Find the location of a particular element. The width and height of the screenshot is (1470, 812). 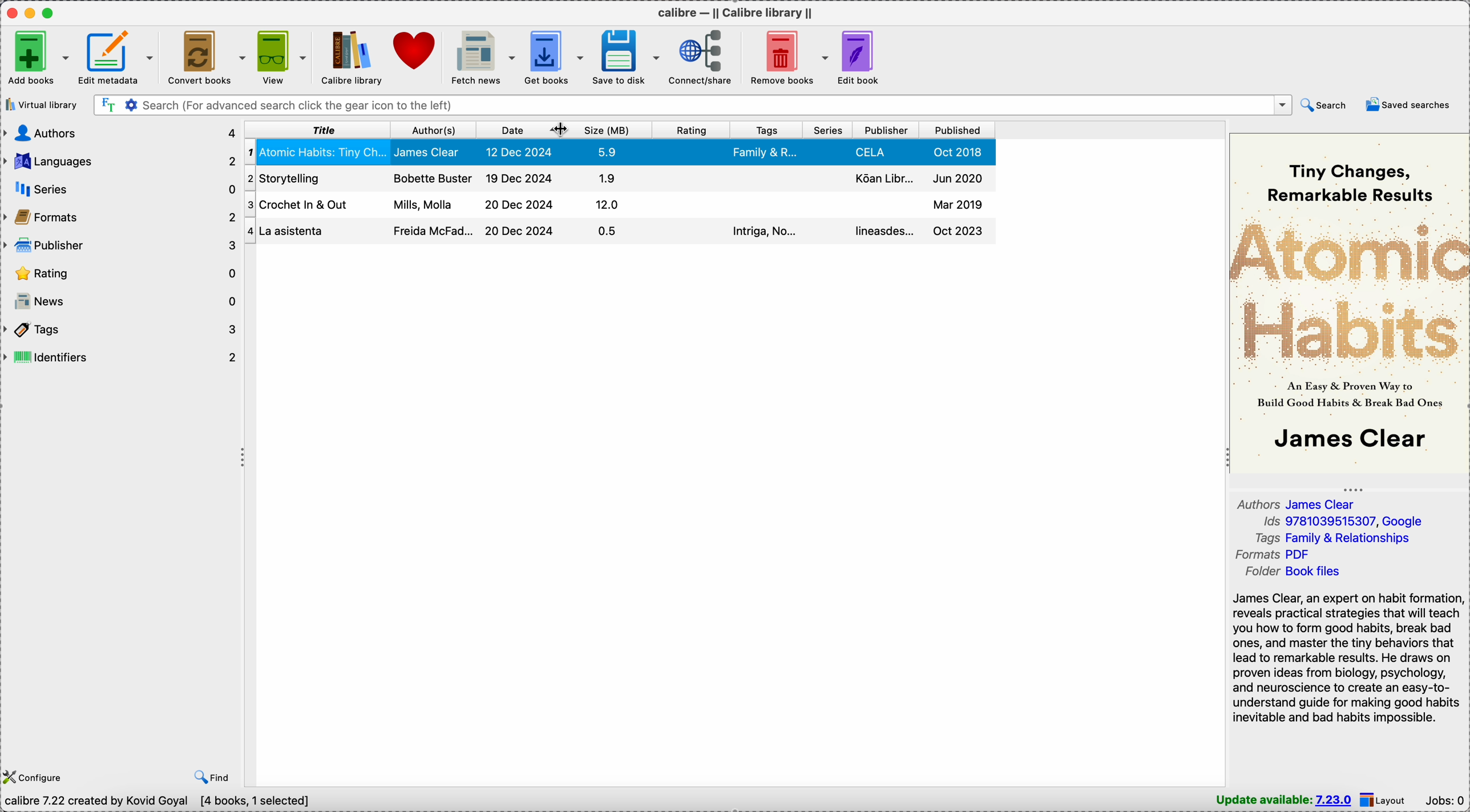

minimize program is located at coordinates (32, 12).